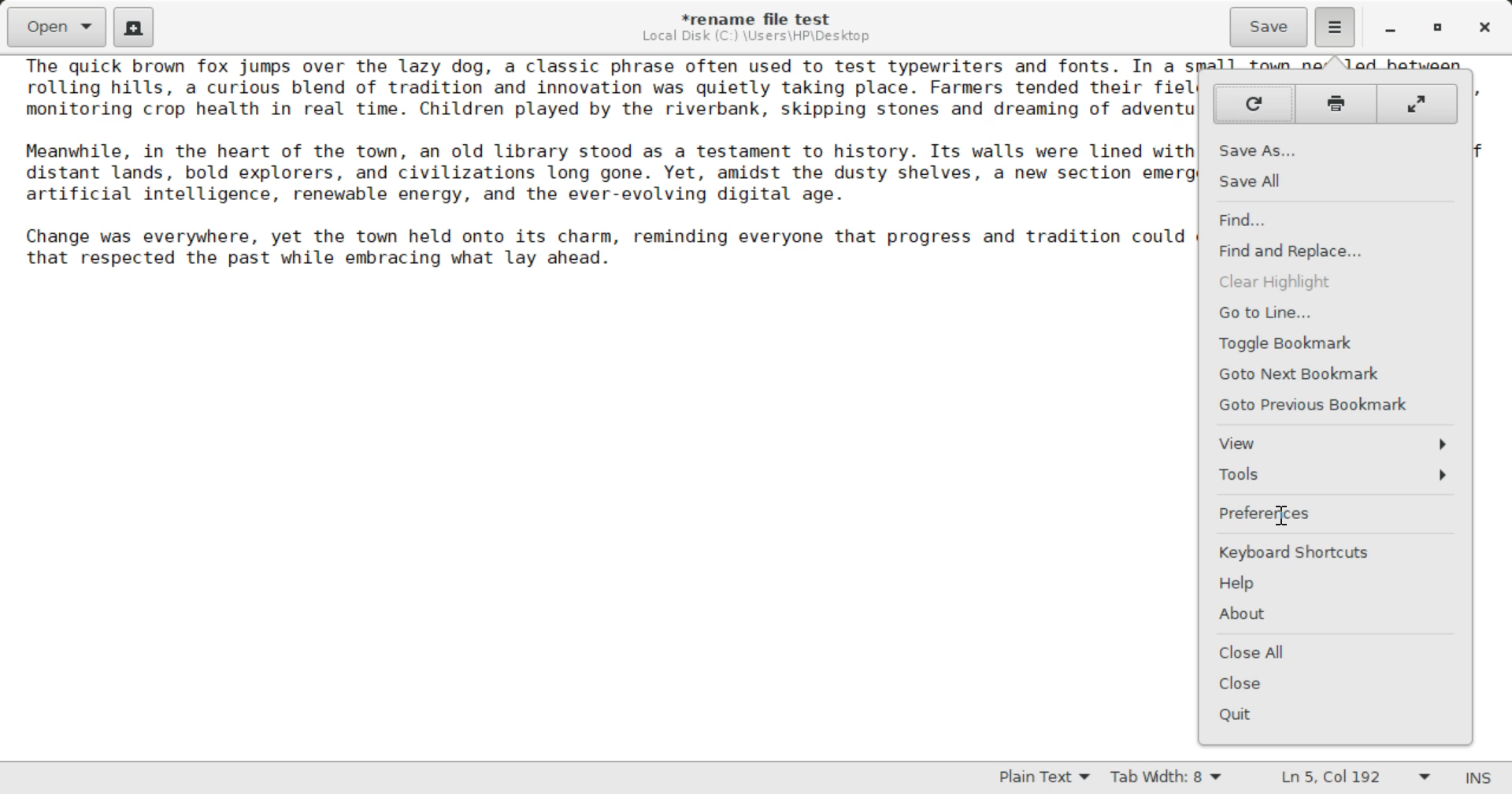  I want to click on Clear Highlight, so click(1332, 284).